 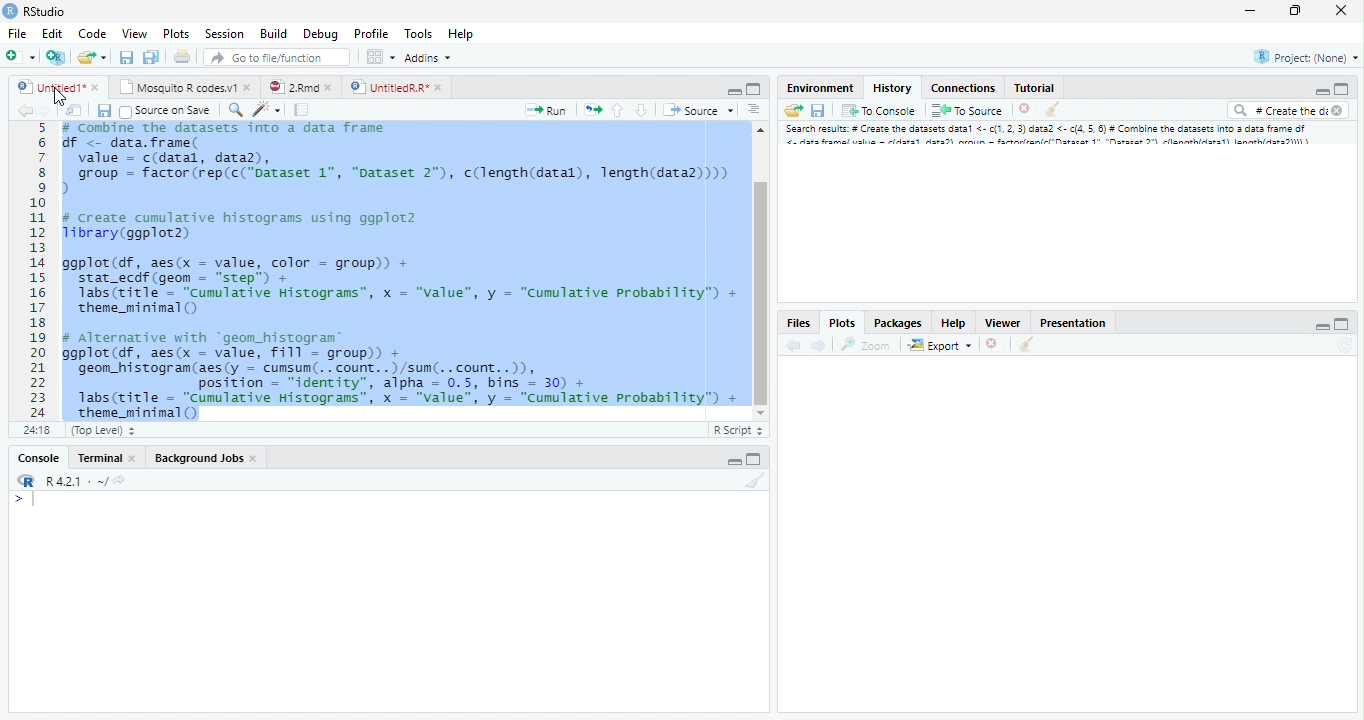 I want to click on Minimize, so click(x=1319, y=325).